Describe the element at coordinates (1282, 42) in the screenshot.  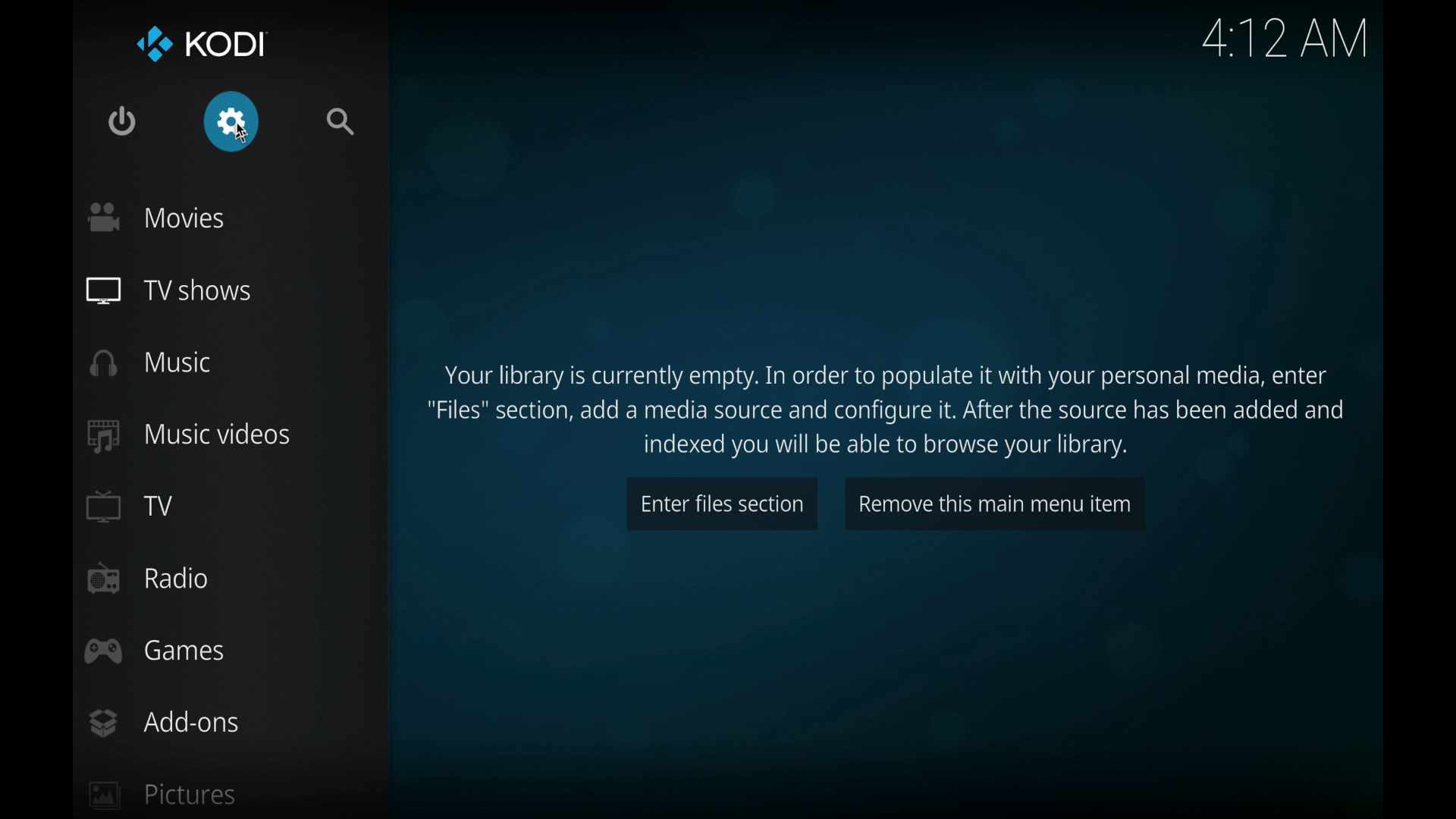
I see `412 AM` at that location.